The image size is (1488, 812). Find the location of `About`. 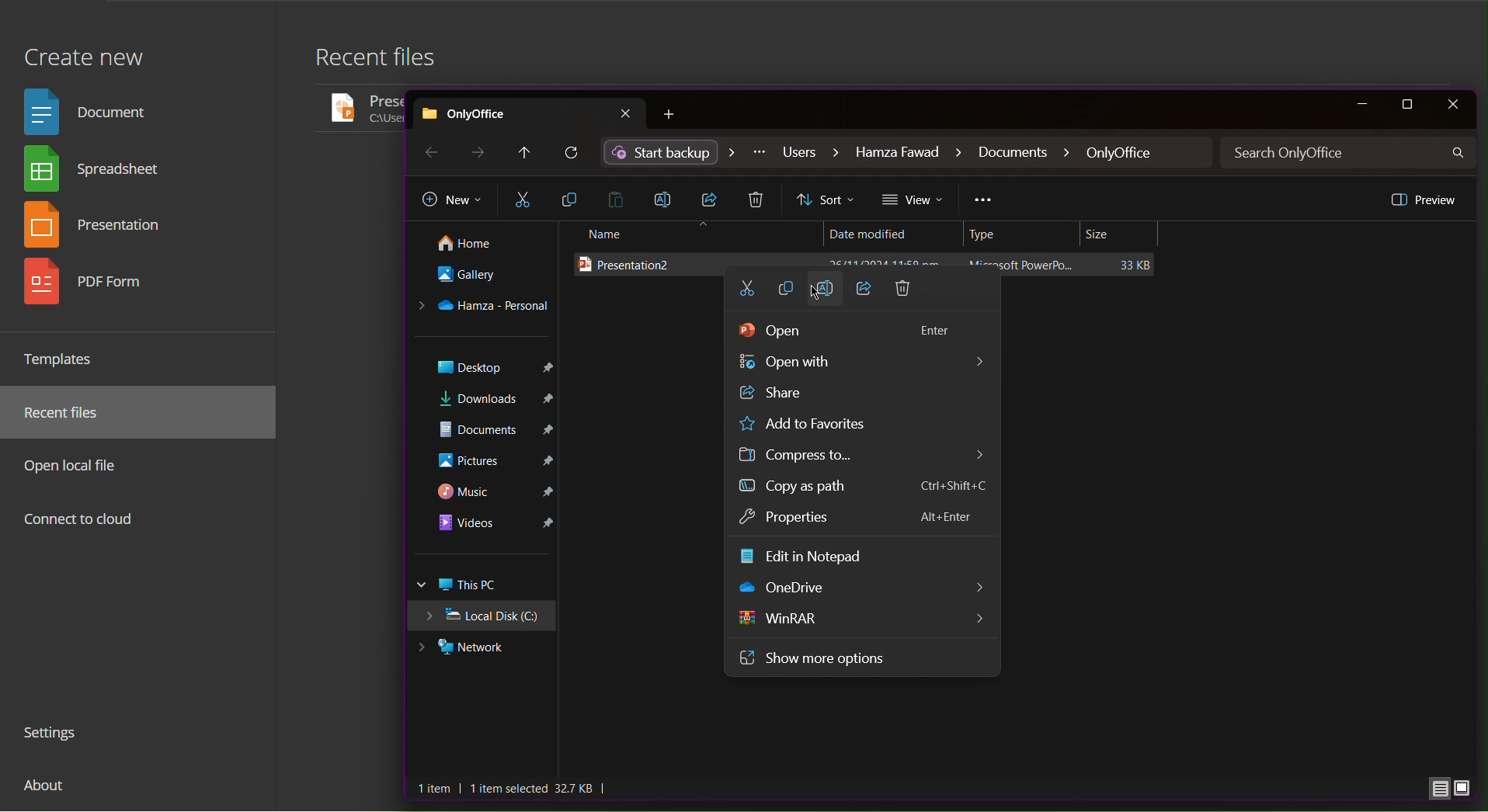

About is located at coordinates (47, 791).